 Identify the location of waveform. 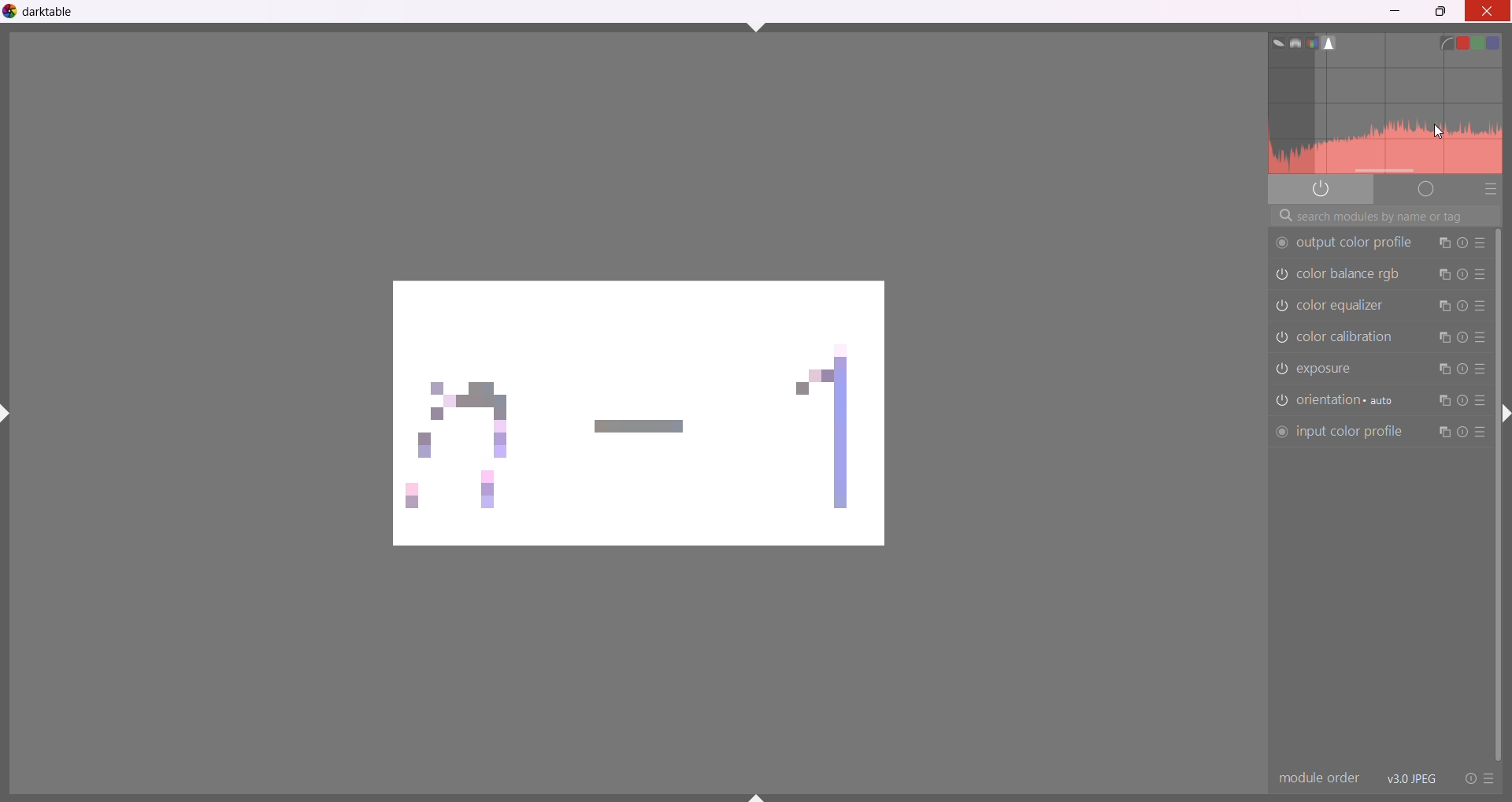
(1291, 42).